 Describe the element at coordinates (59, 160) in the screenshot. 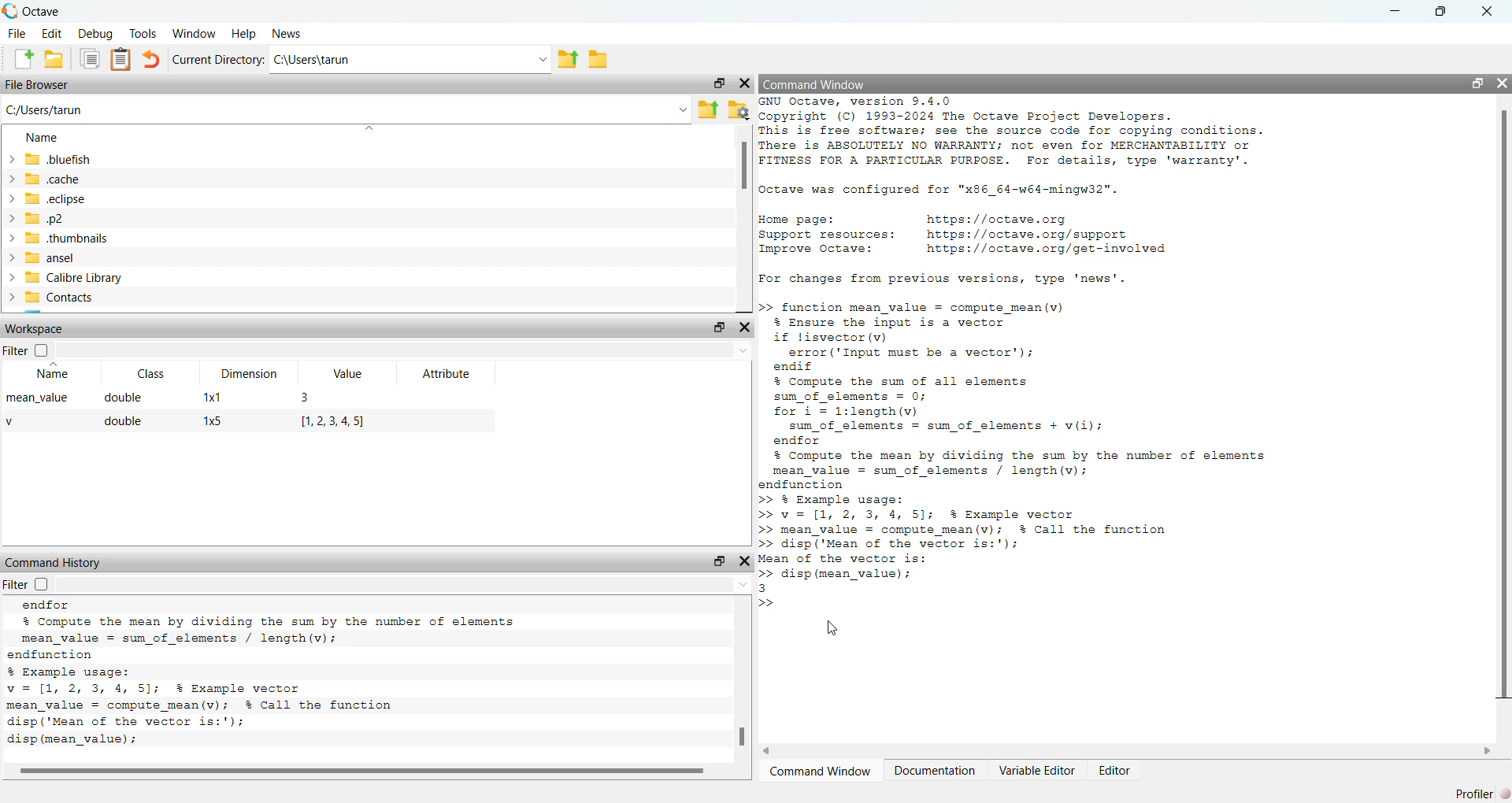

I see `.bluefish` at that location.